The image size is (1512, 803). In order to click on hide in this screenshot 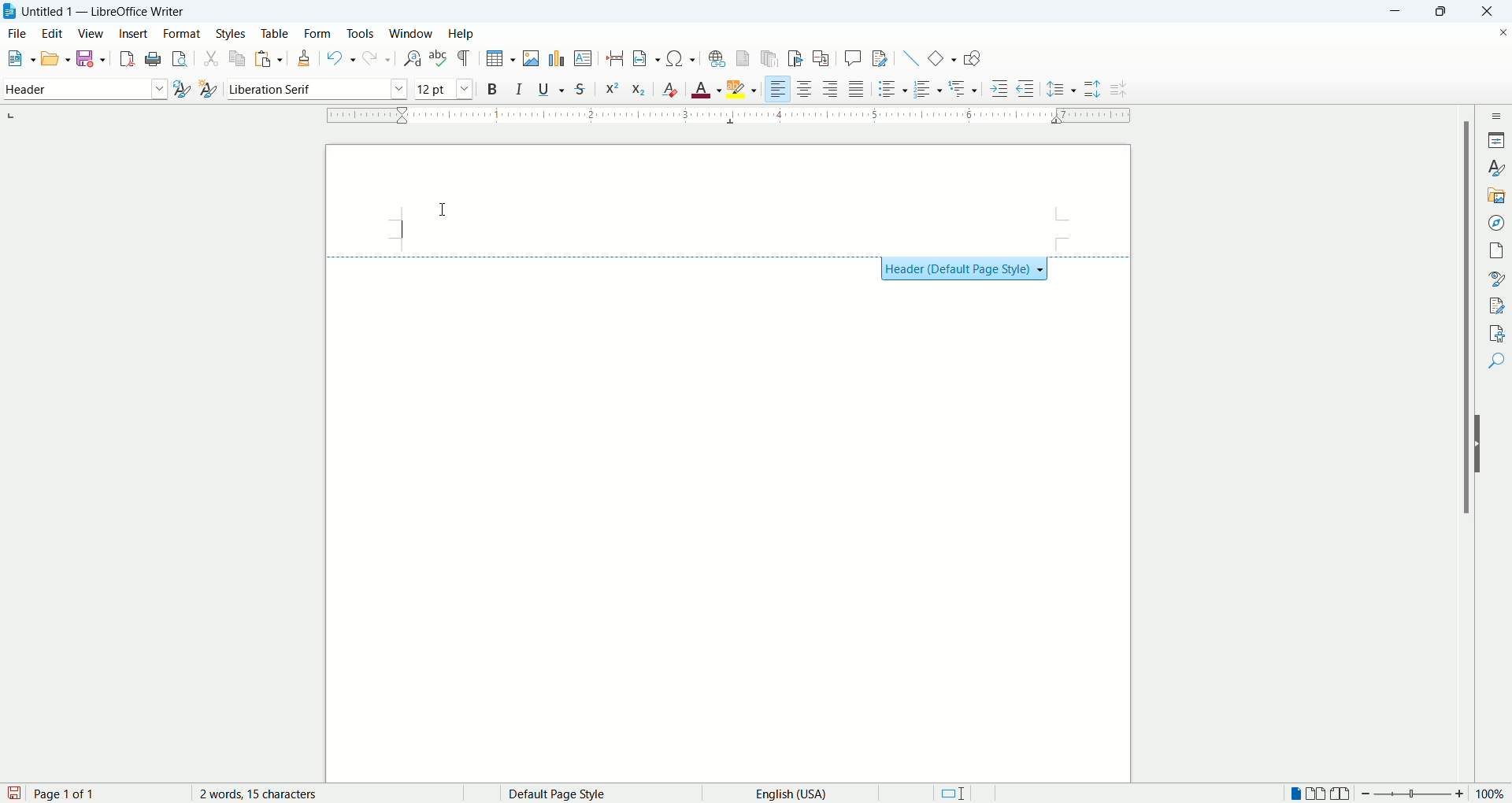, I will do `click(1482, 448)`.